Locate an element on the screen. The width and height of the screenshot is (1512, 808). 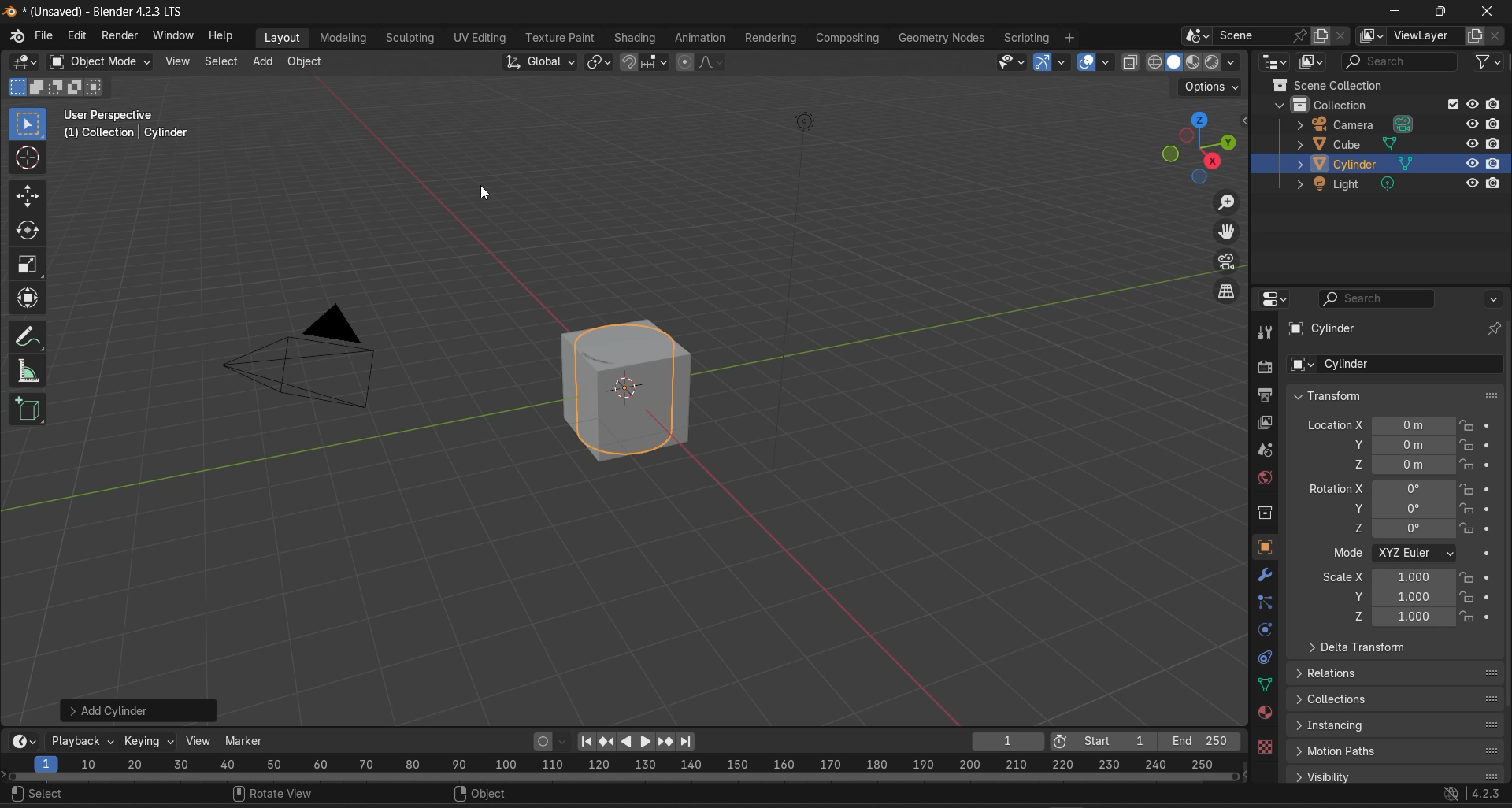
viewport shading:rendered is located at coordinates (1211, 61).